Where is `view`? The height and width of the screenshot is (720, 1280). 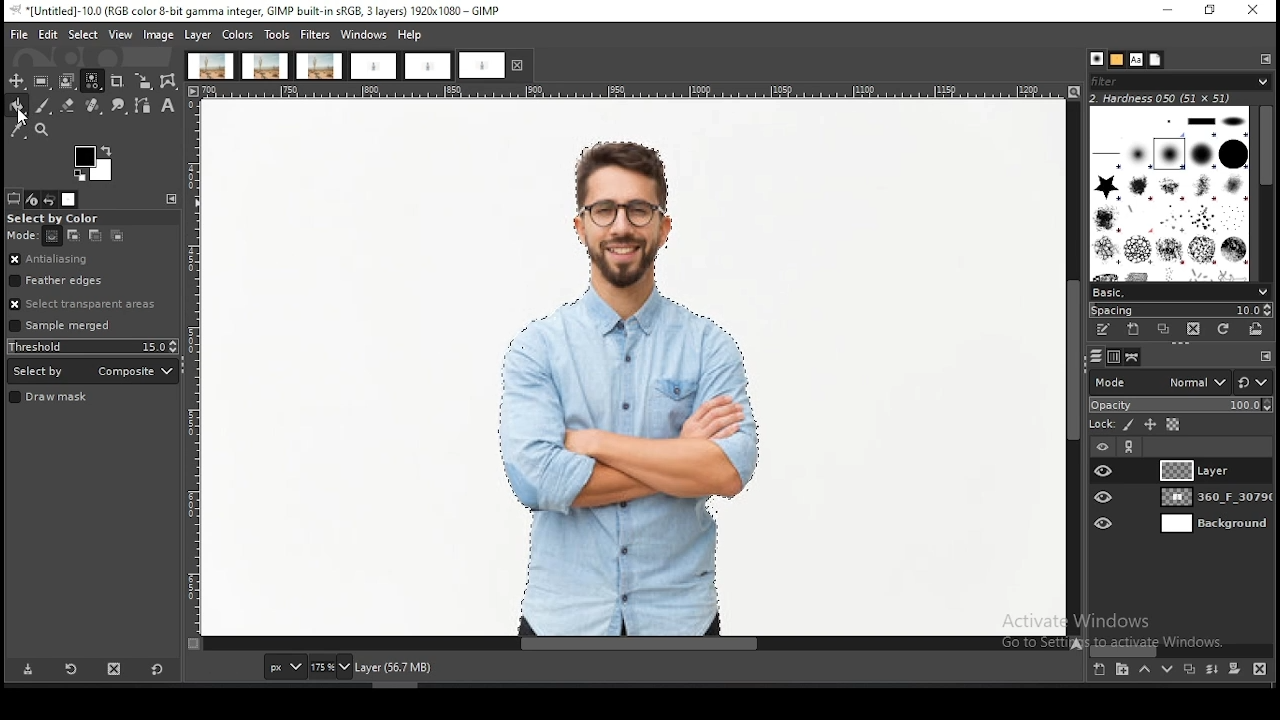 view is located at coordinates (122, 34).